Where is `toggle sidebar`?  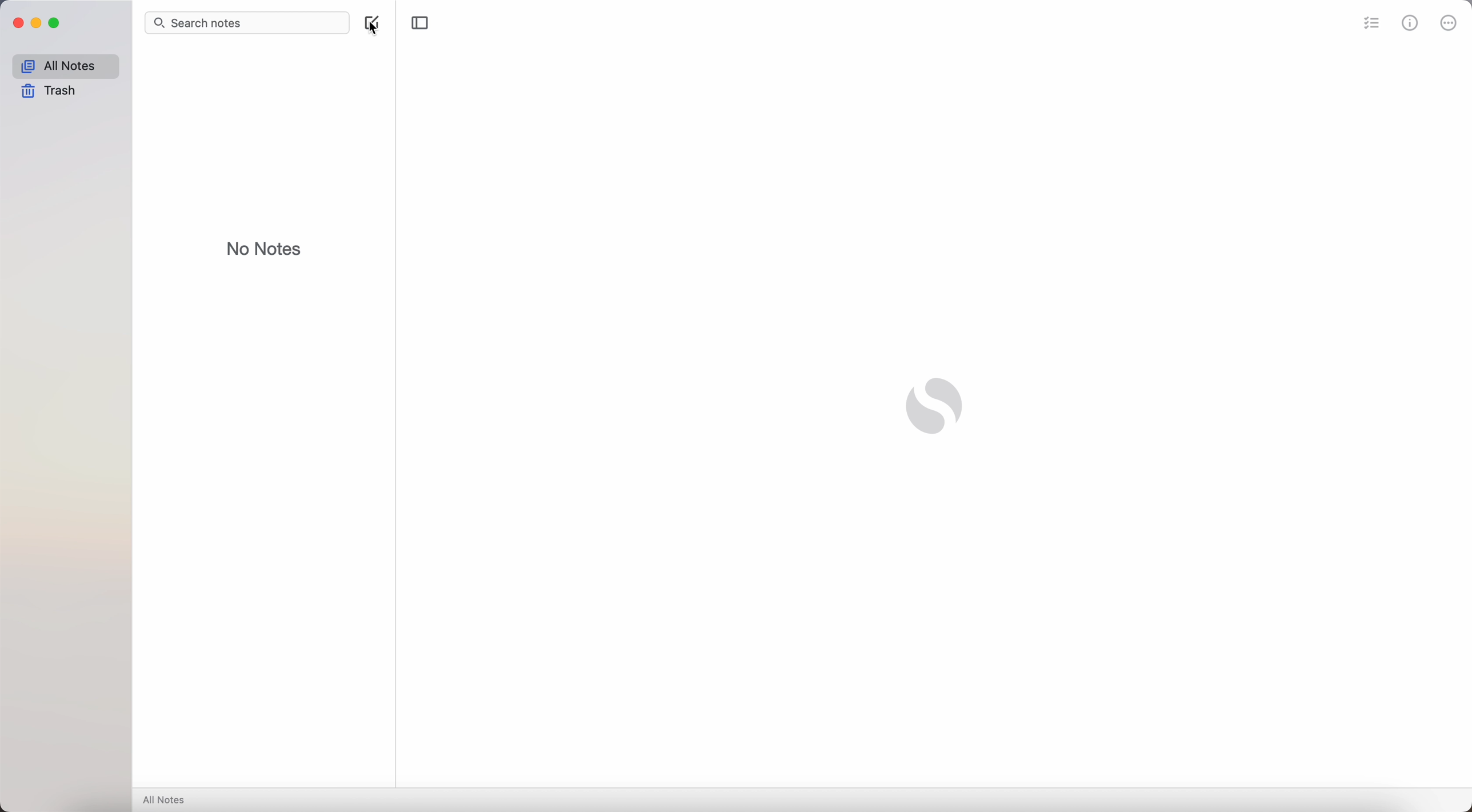 toggle sidebar is located at coordinates (421, 21).